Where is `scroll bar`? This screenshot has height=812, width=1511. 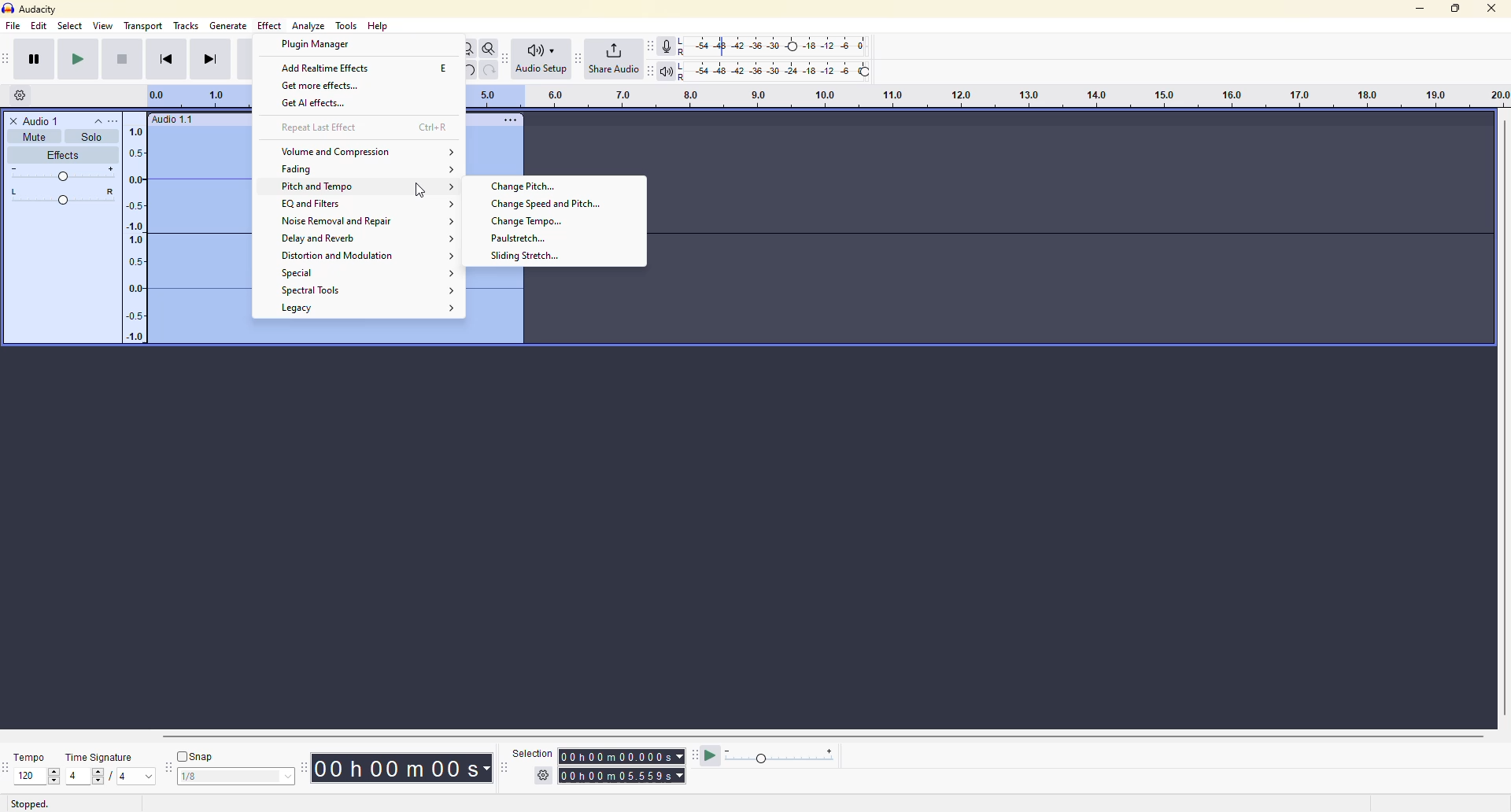 scroll bar is located at coordinates (804, 736).